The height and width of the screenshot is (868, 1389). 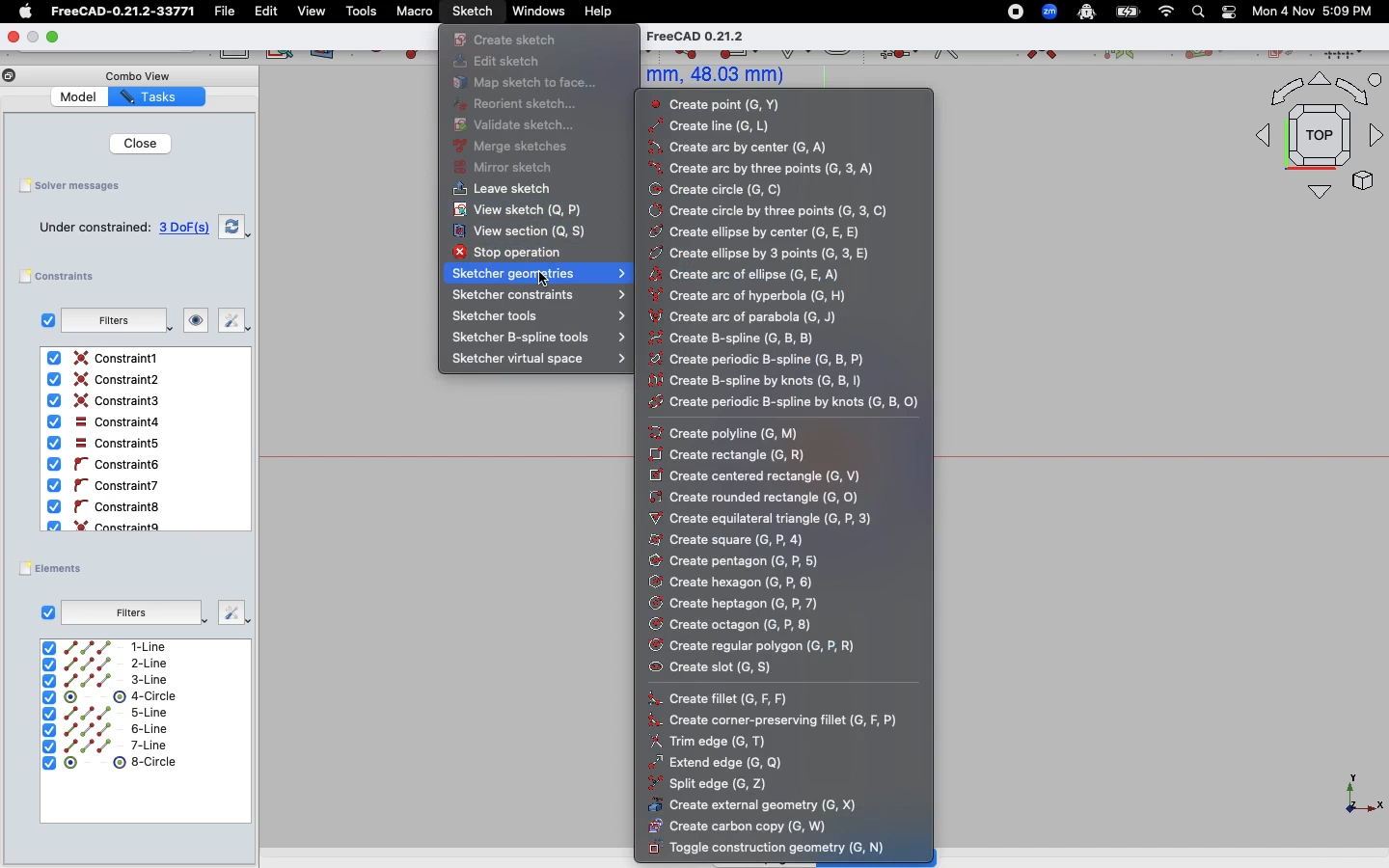 What do you see at coordinates (121, 762) in the screenshot?
I see `8-circle` at bounding box center [121, 762].